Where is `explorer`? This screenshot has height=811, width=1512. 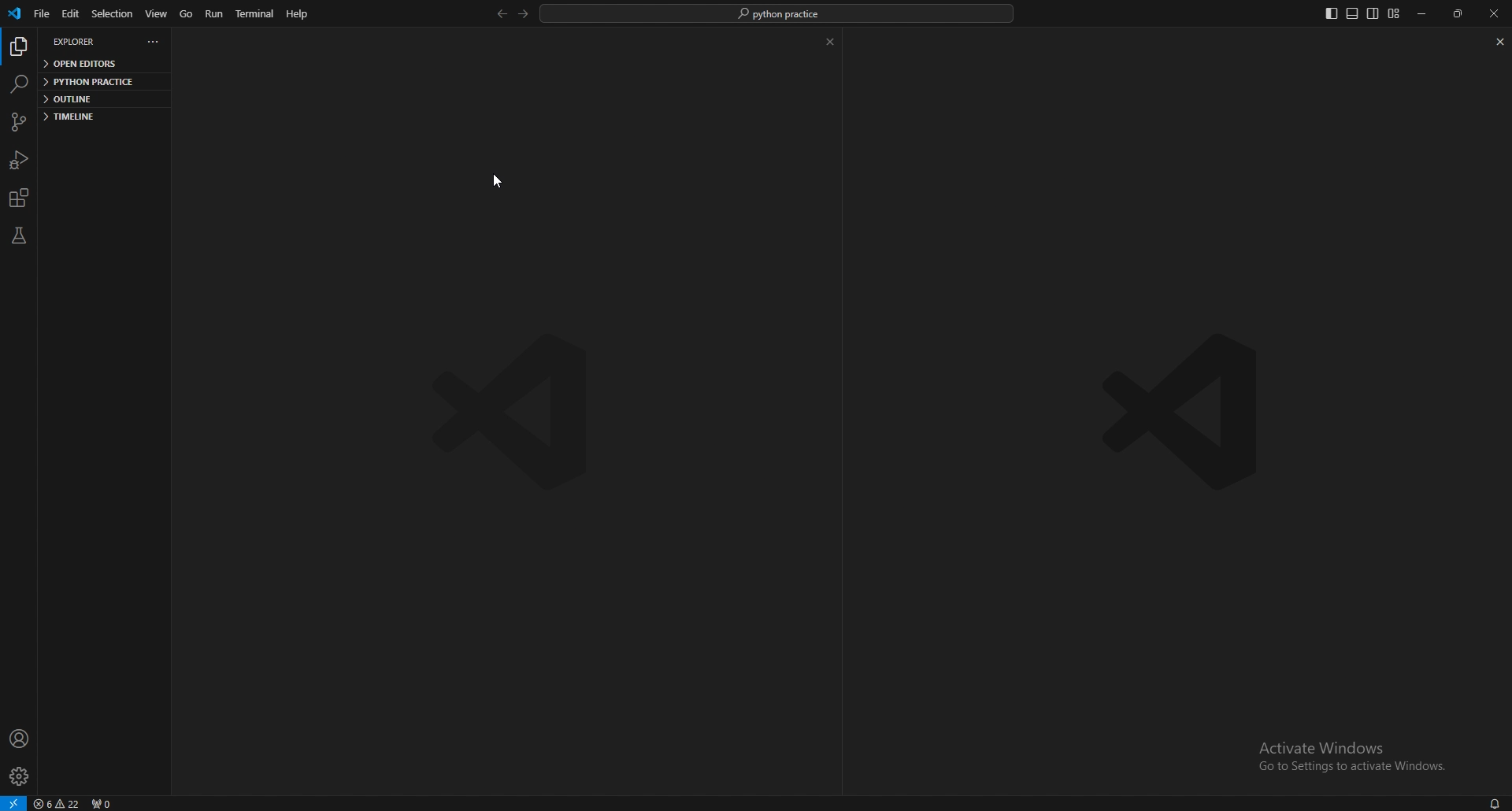
explorer is located at coordinates (80, 42).